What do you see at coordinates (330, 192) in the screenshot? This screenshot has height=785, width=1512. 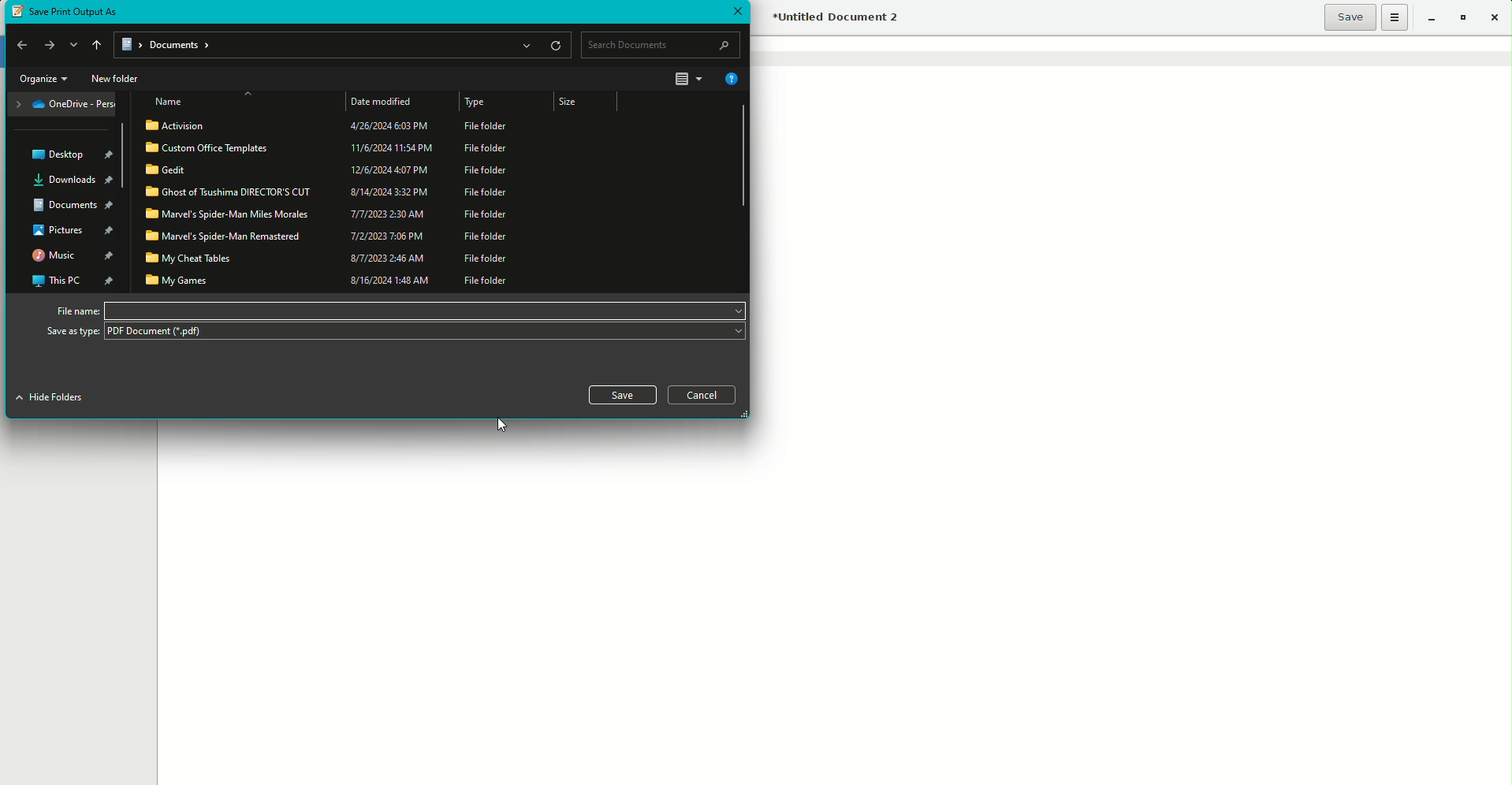 I see `Ghost of Tsushima` at bounding box center [330, 192].